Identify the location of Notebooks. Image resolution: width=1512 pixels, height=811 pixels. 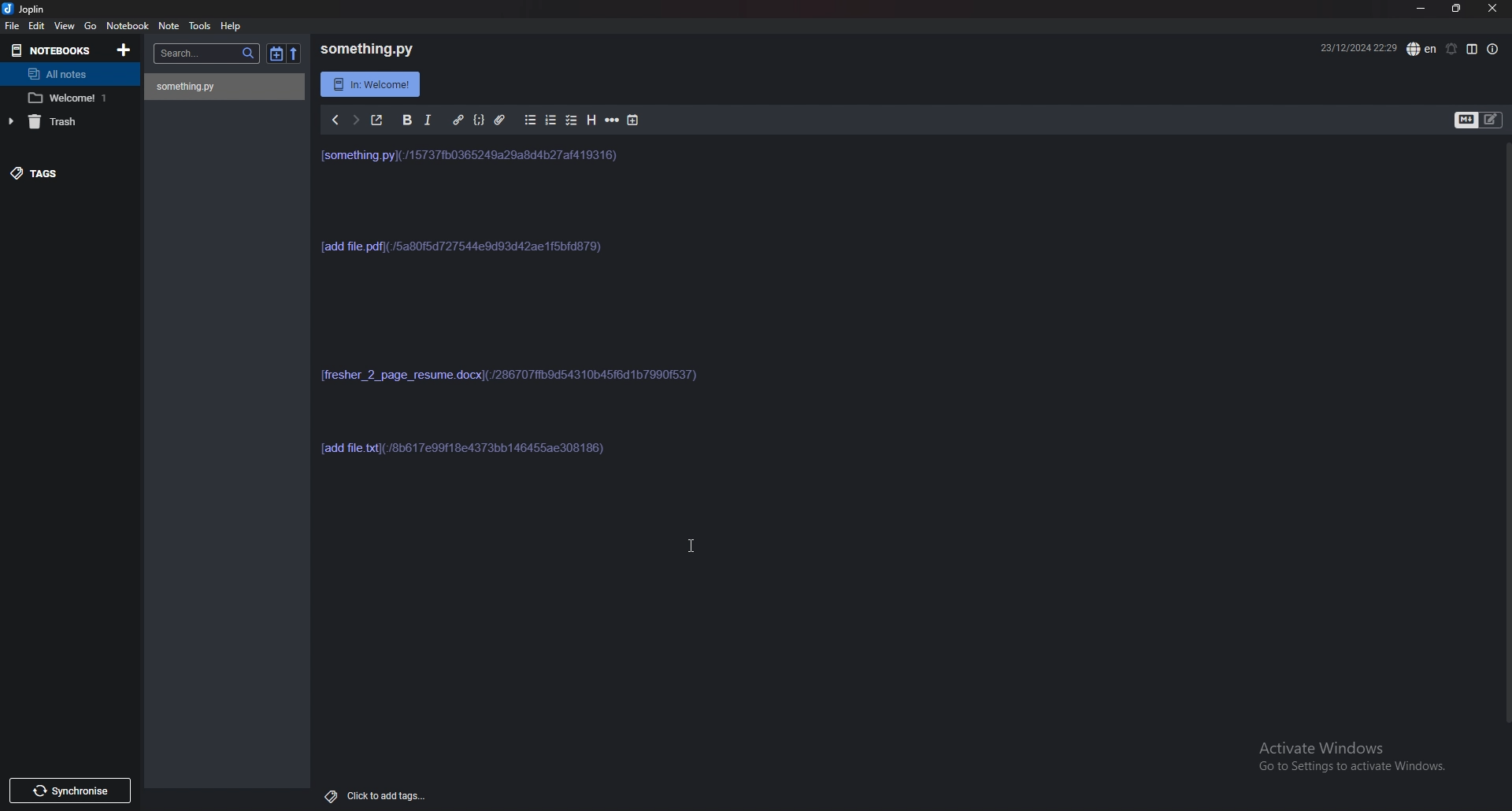
(54, 53).